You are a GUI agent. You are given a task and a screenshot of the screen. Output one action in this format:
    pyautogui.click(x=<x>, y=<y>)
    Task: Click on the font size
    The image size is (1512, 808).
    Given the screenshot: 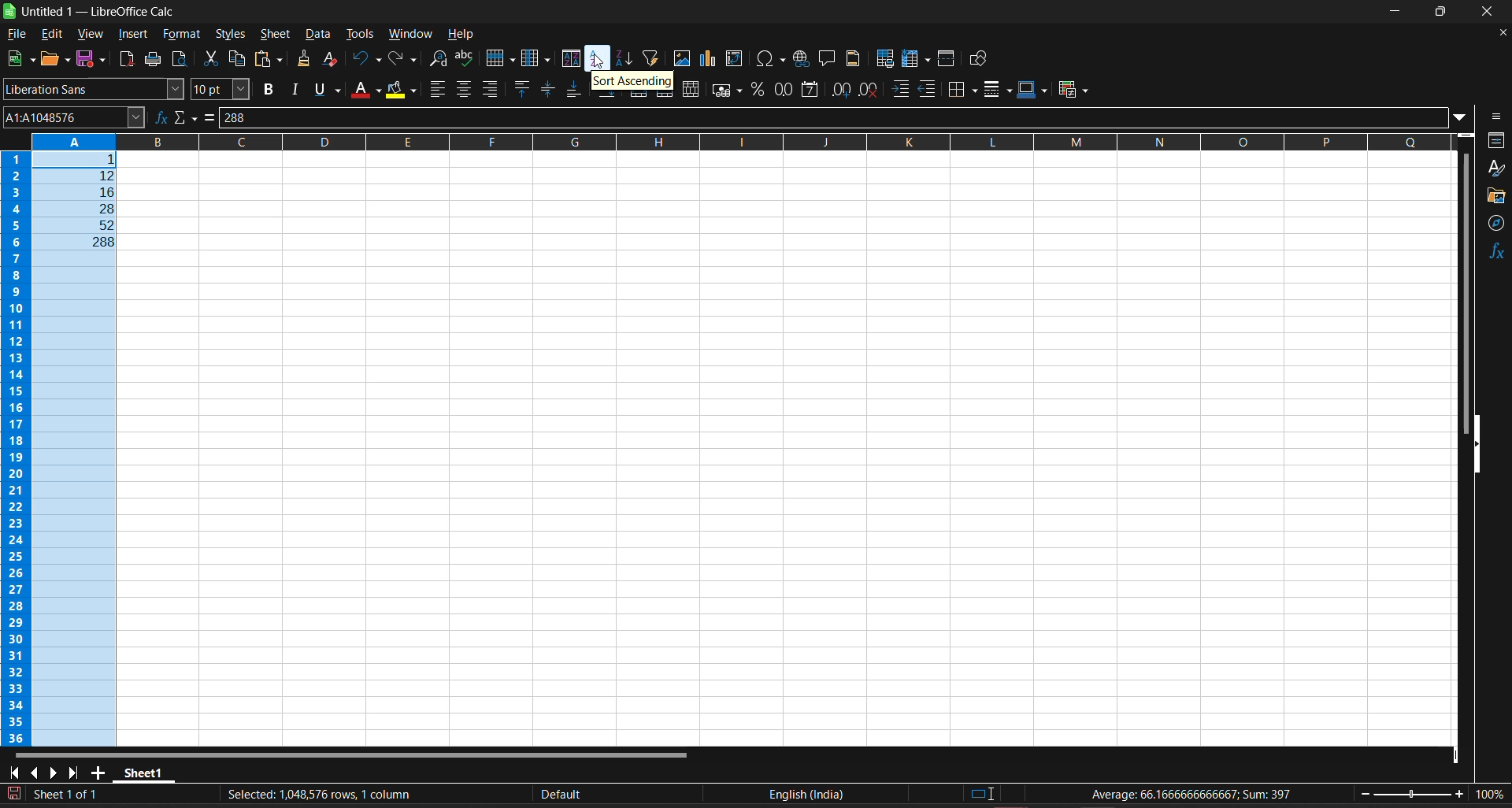 What is the action you would take?
    pyautogui.click(x=220, y=89)
    